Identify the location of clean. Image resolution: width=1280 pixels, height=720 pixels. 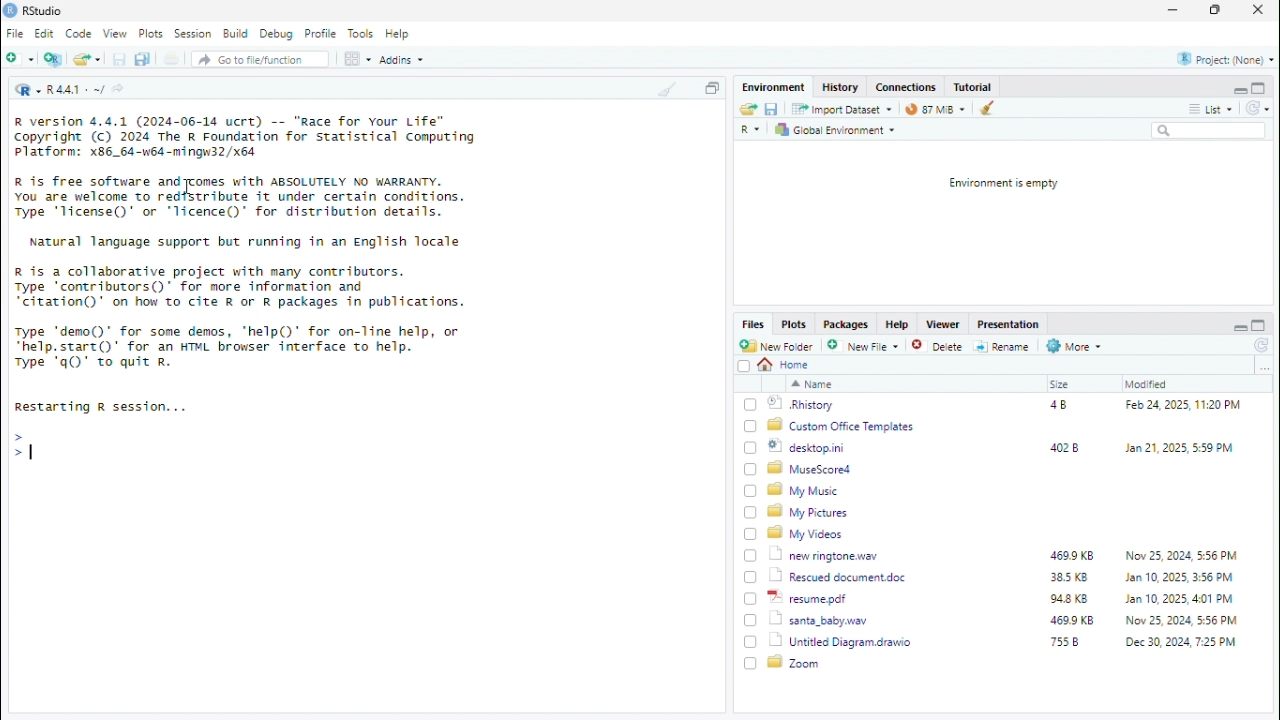
(669, 87).